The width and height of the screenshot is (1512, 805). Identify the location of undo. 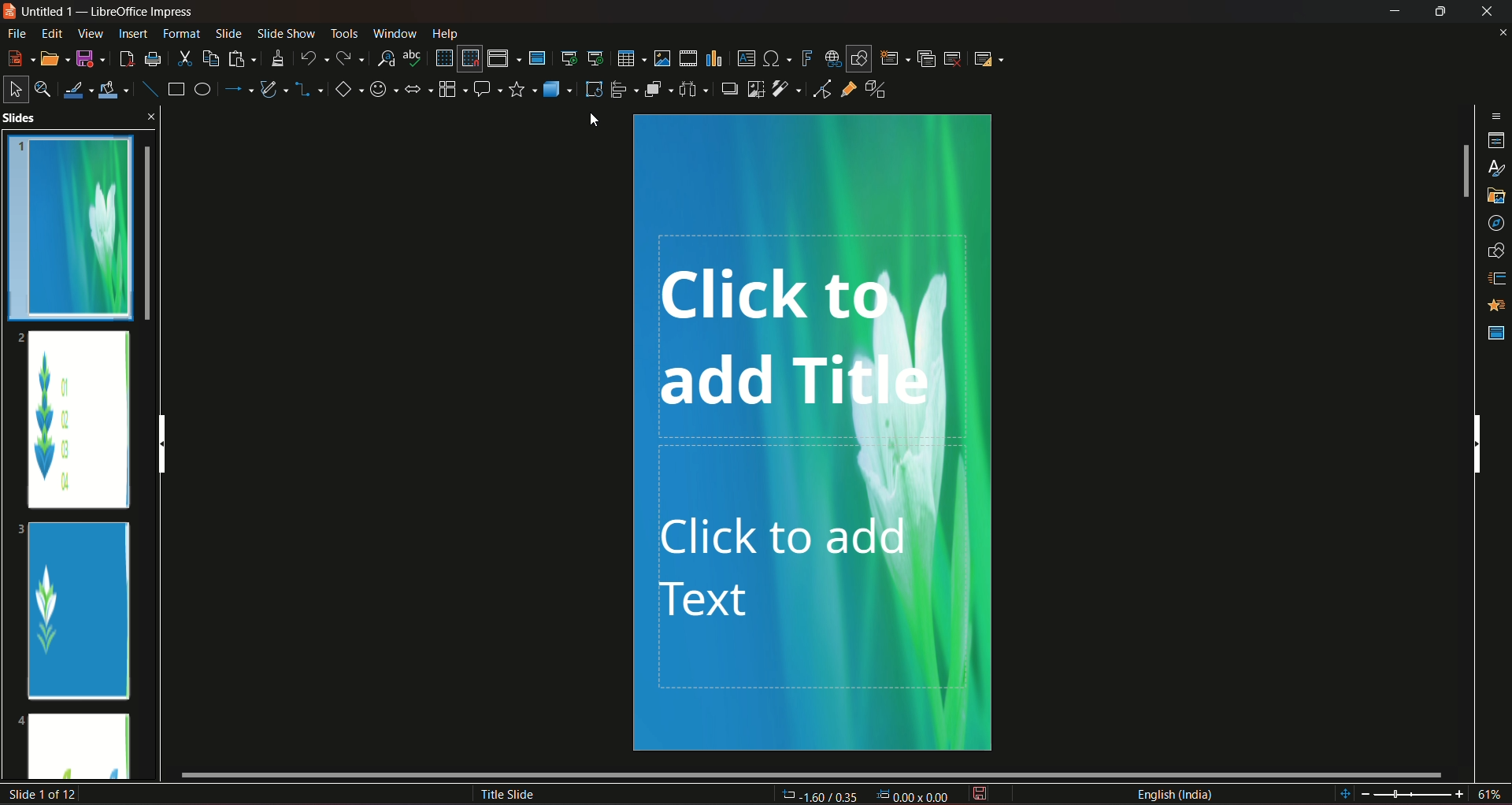
(314, 57).